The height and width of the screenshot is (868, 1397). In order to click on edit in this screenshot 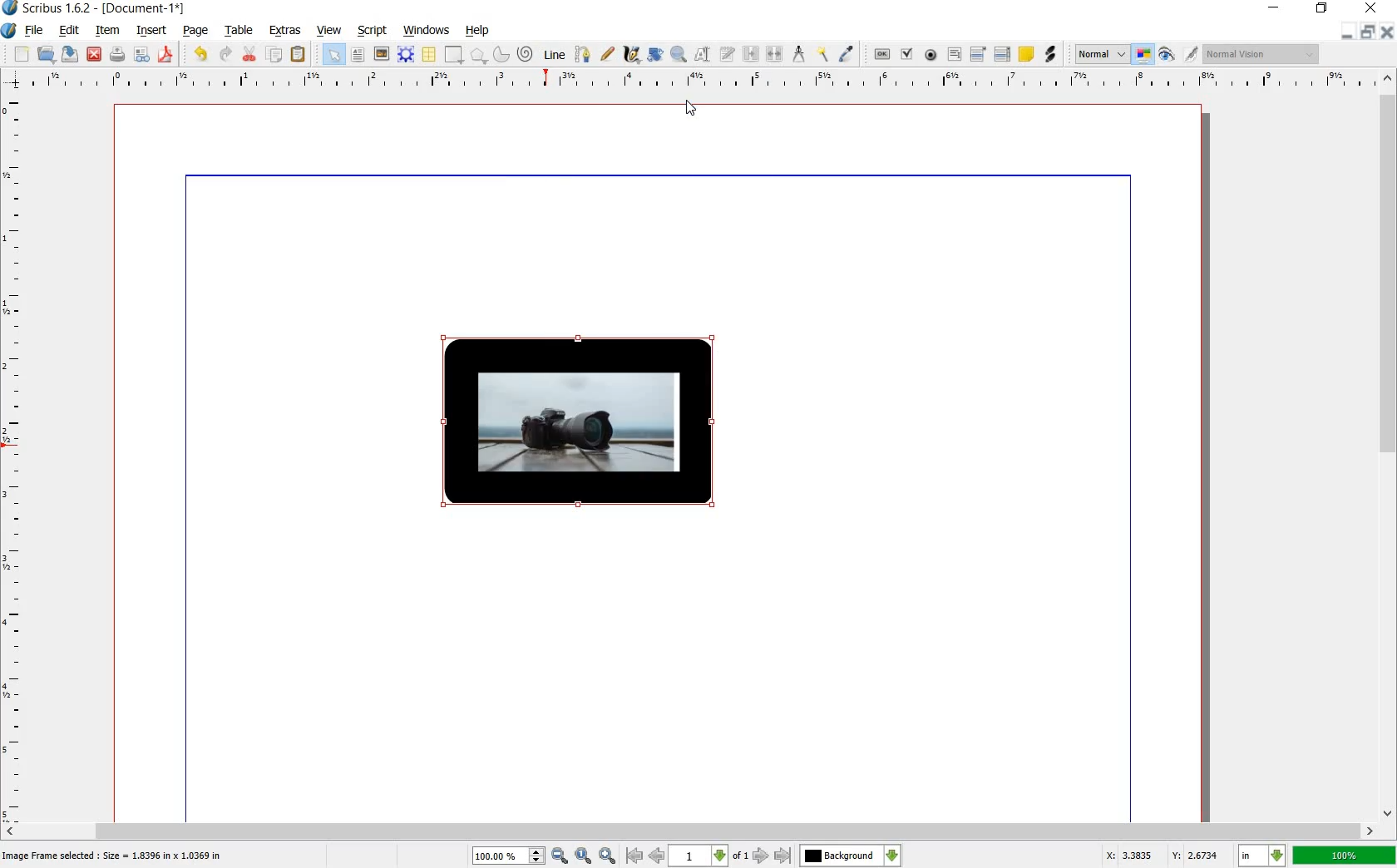, I will do `click(68, 31)`.